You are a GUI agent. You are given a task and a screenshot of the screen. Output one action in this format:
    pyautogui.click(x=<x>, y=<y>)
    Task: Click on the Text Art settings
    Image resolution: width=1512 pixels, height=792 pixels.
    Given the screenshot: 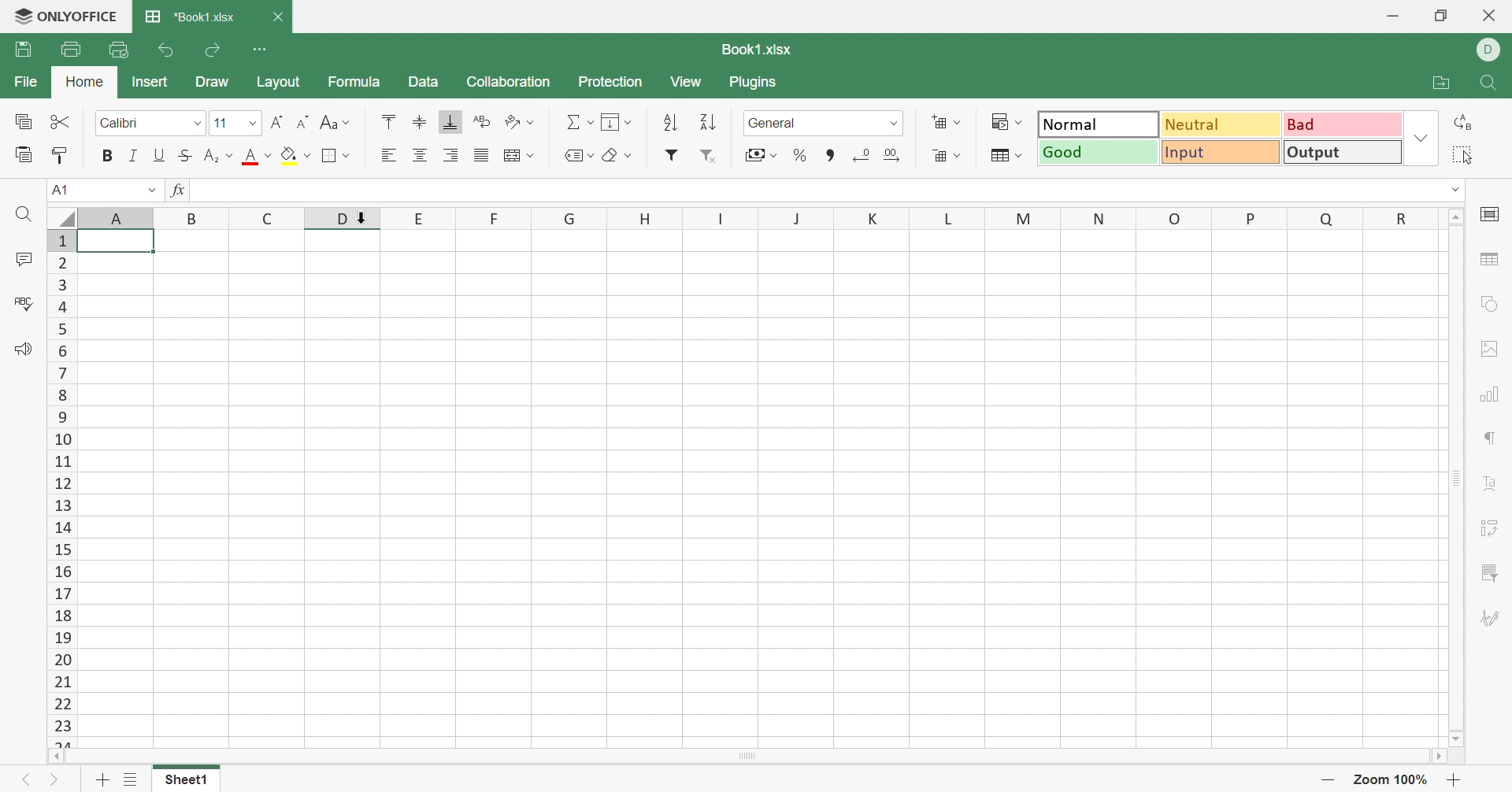 What is the action you would take?
    pyautogui.click(x=1491, y=483)
    